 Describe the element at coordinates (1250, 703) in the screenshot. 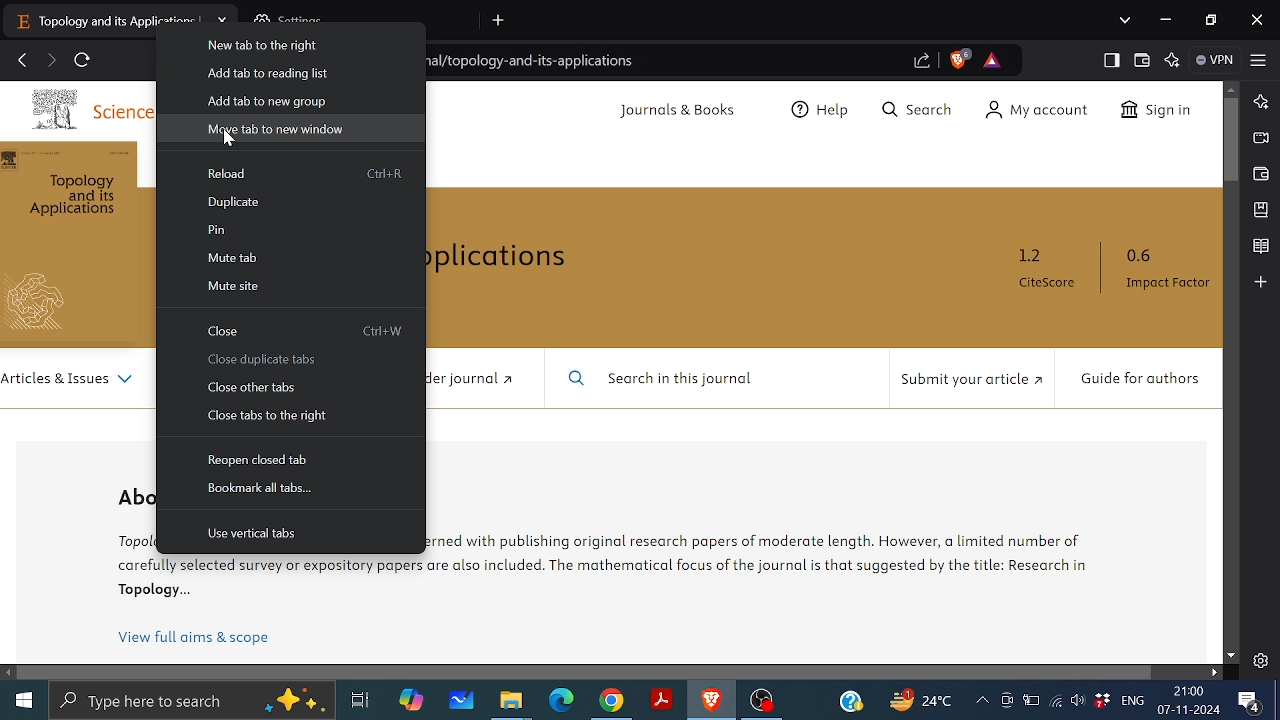

I see `Masseges` at that location.